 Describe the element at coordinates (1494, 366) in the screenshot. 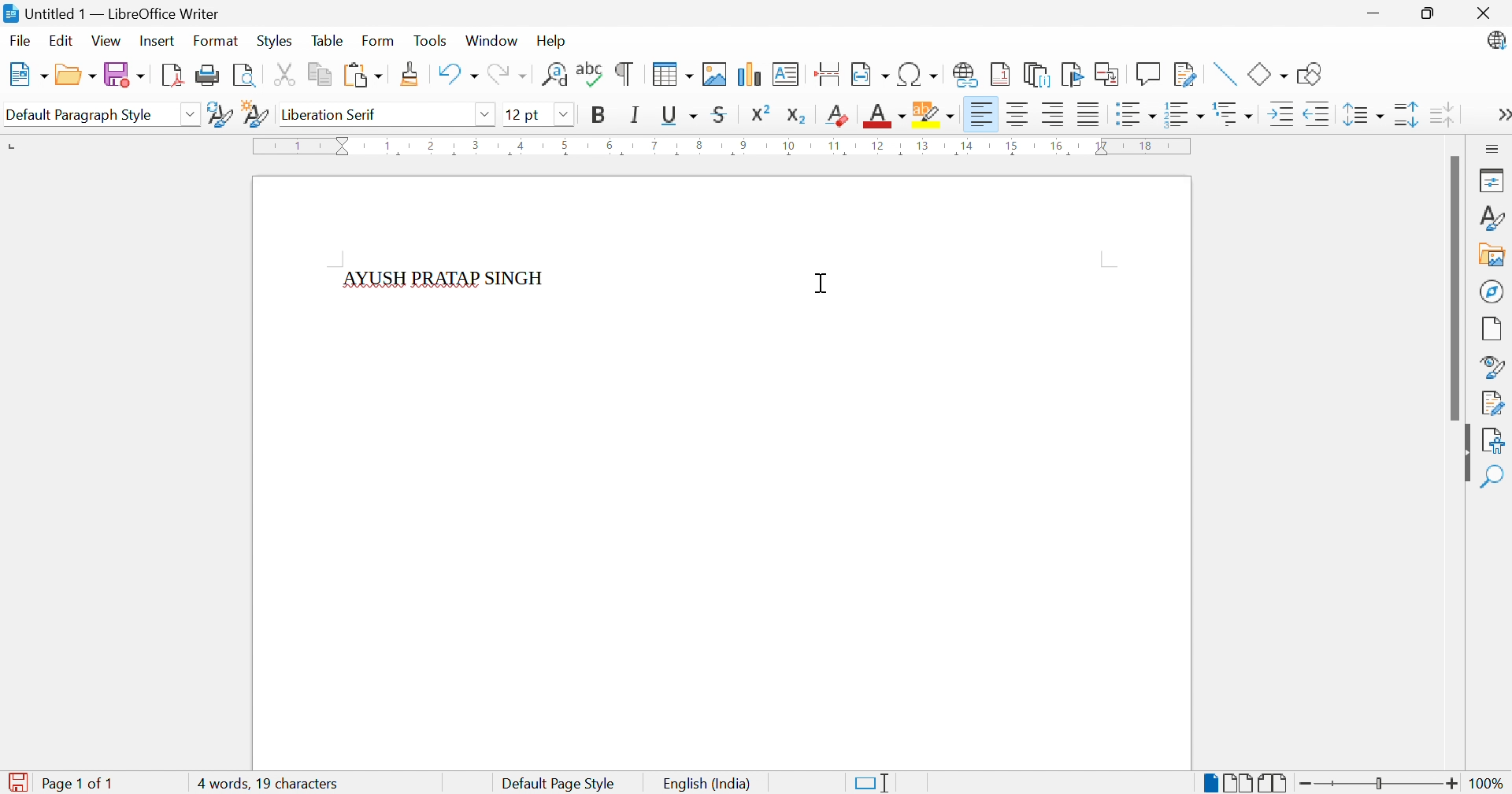

I see `Style Inspector` at that location.